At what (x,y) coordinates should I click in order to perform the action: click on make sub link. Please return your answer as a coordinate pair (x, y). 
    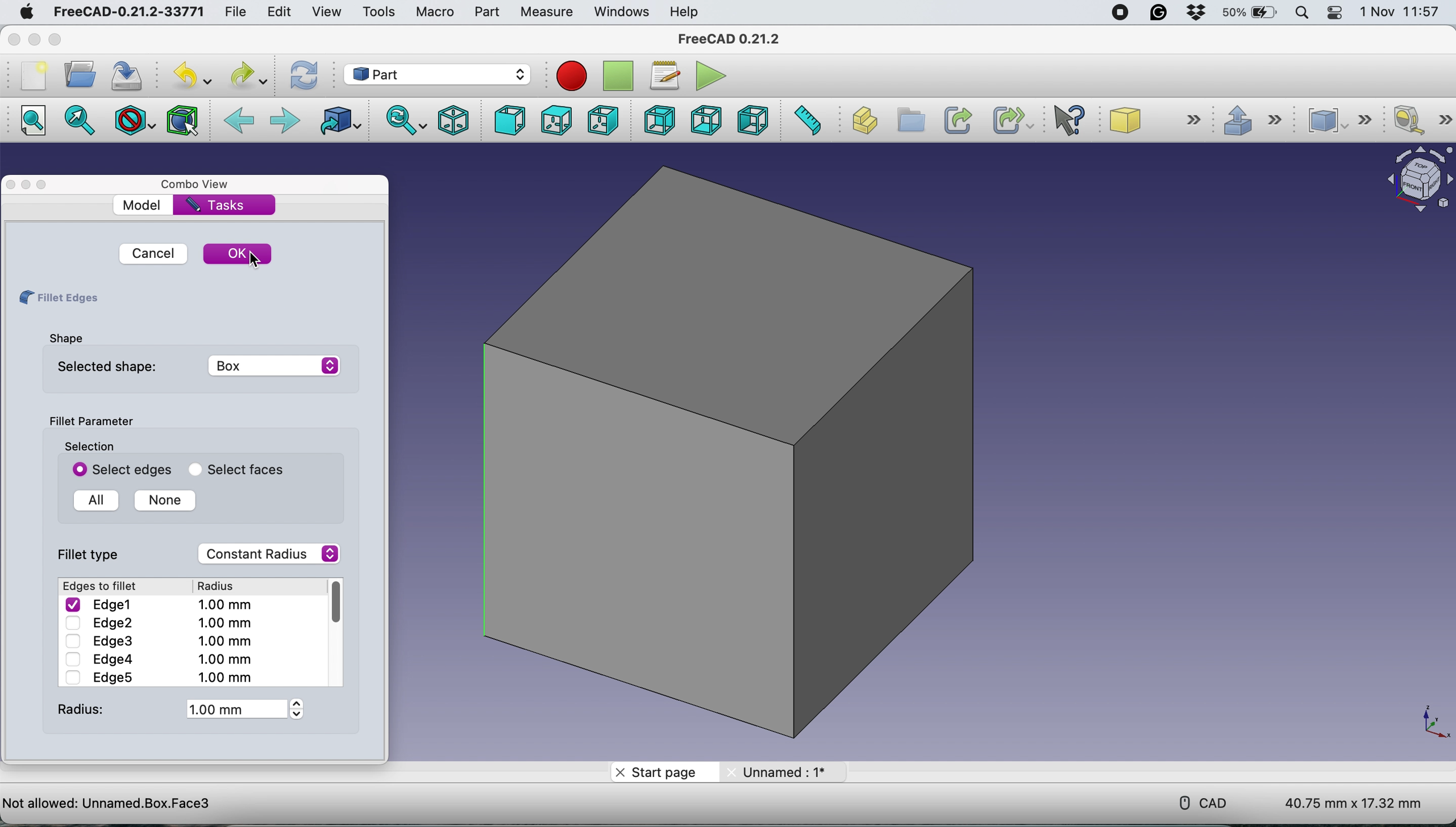
    Looking at the image, I should click on (1013, 119).